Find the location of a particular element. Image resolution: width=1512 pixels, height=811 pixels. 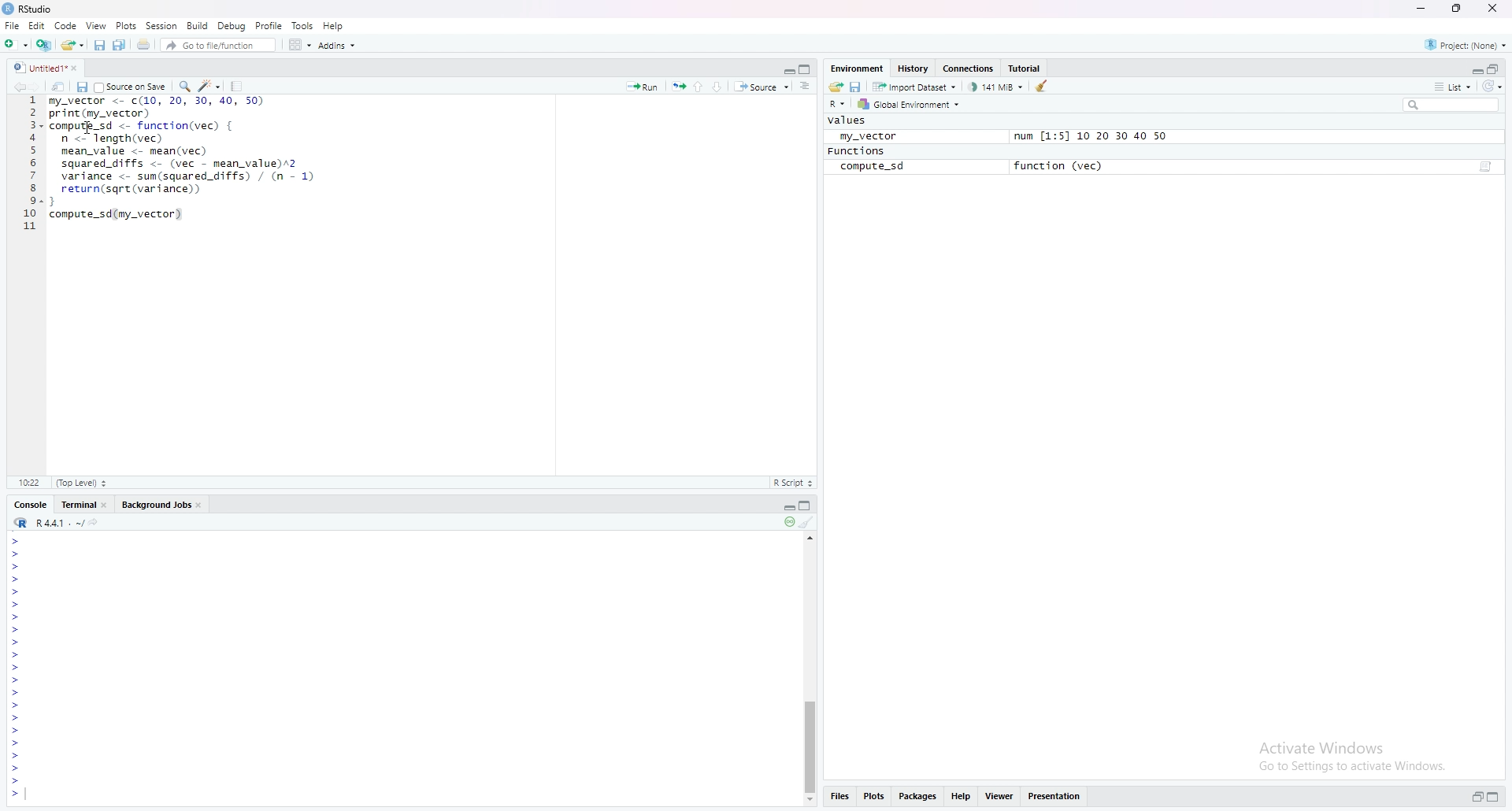

Prompt cursor is located at coordinates (18, 694).